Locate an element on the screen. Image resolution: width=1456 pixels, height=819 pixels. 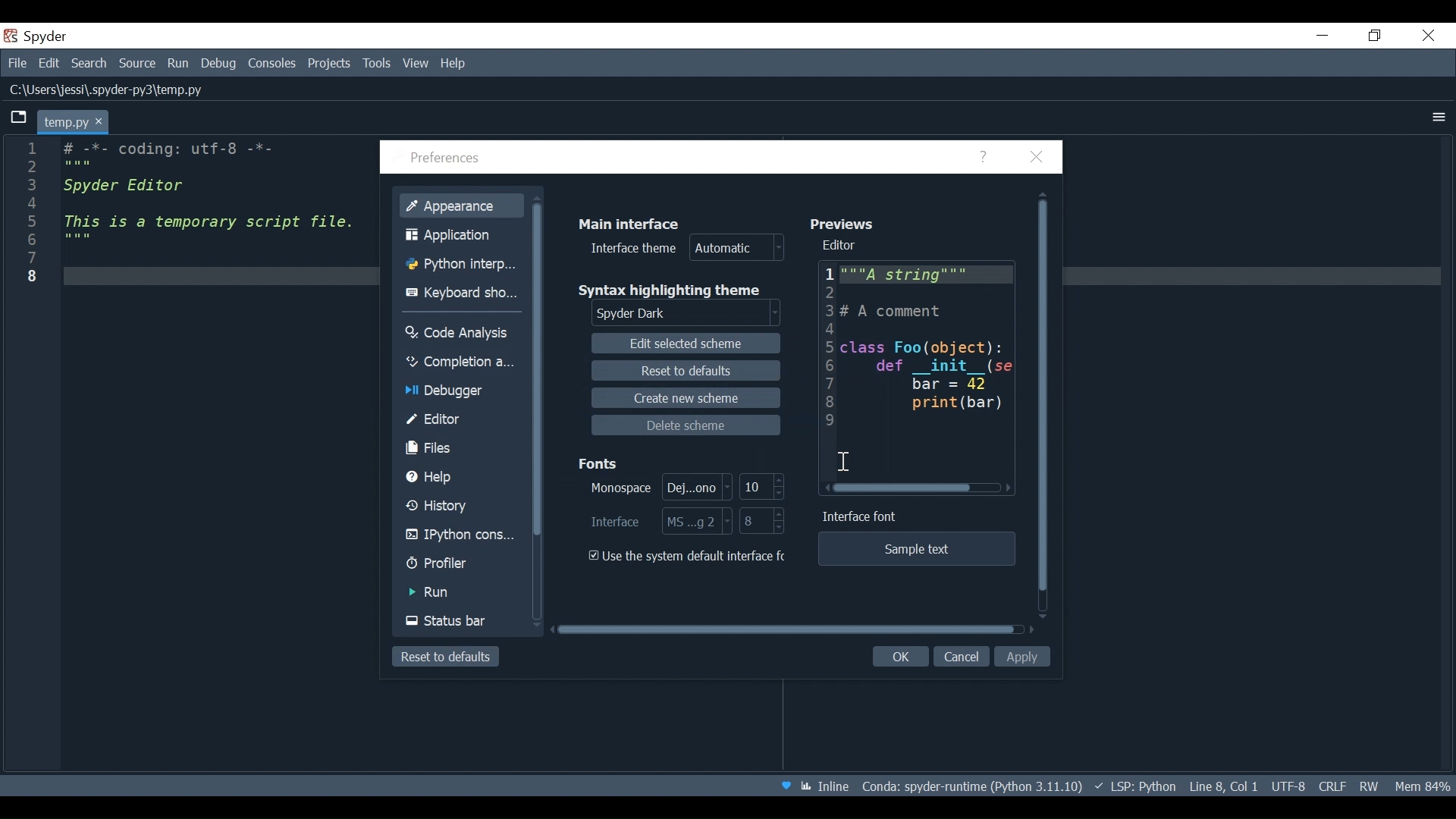
Apply is located at coordinates (1025, 657).